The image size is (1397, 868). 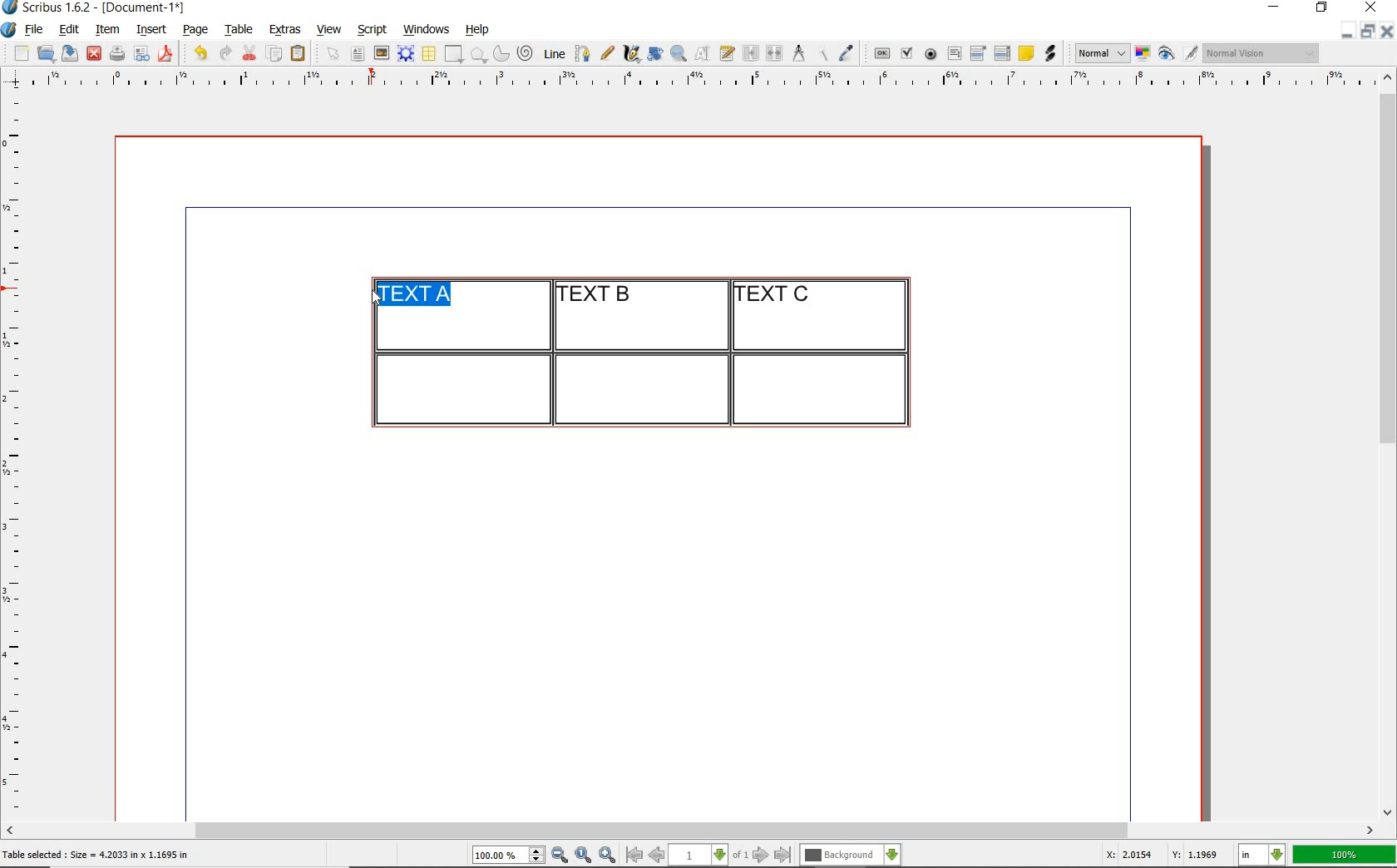 What do you see at coordinates (846, 55) in the screenshot?
I see `eye dropper` at bounding box center [846, 55].